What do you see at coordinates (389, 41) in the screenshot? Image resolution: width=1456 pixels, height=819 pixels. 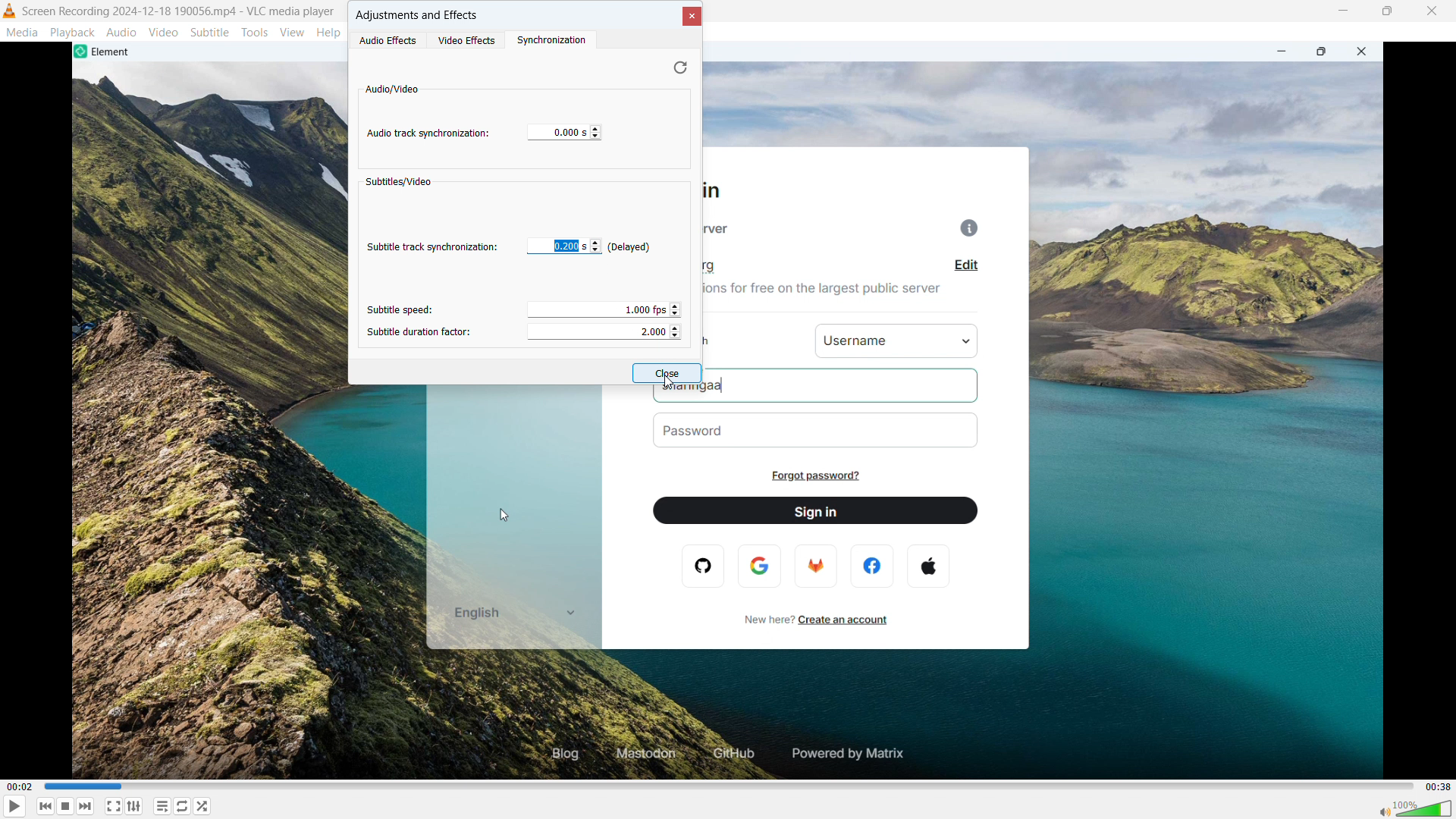 I see `audio effects` at bounding box center [389, 41].